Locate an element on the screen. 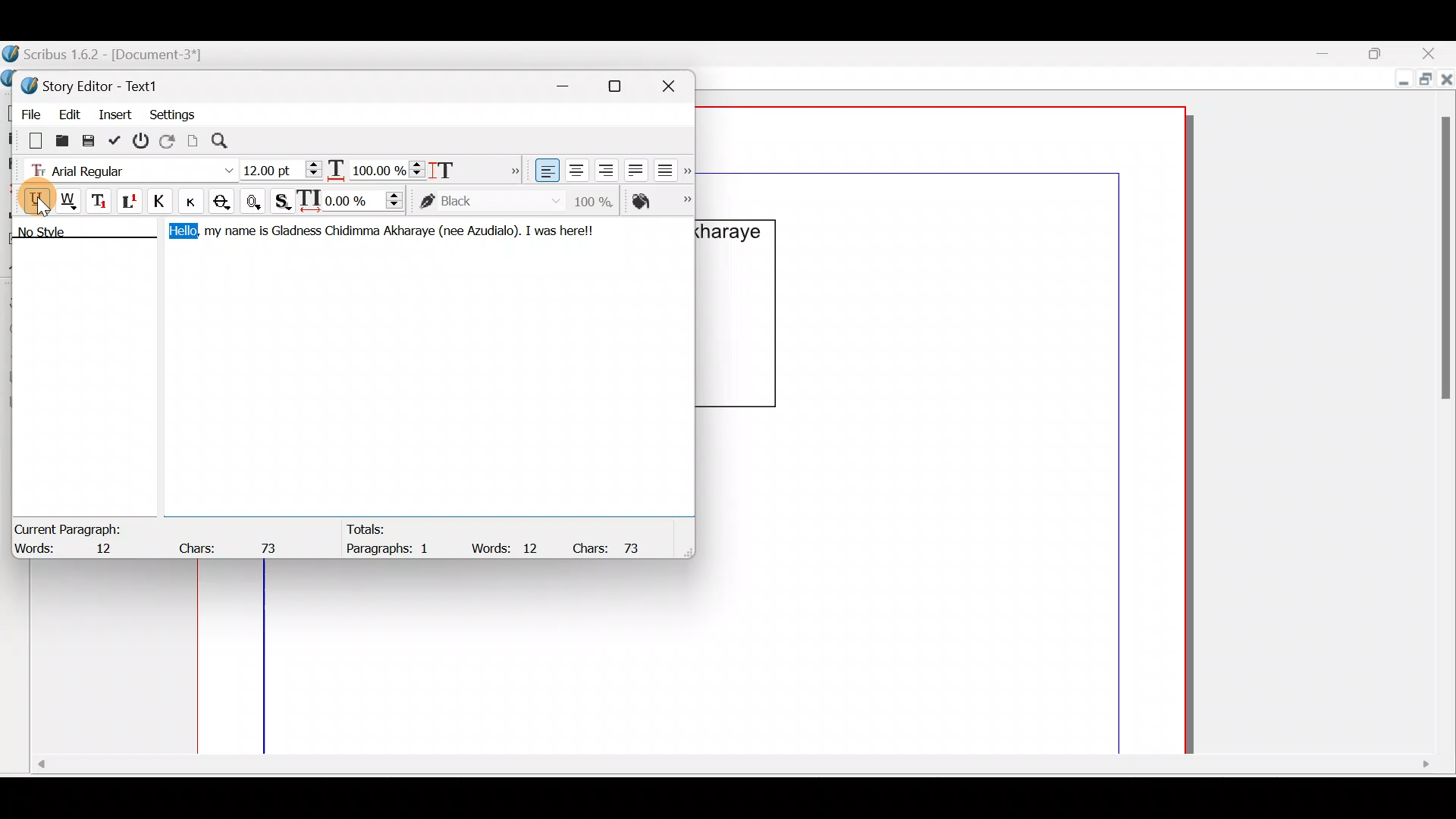  No style is located at coordinates (58, 234).